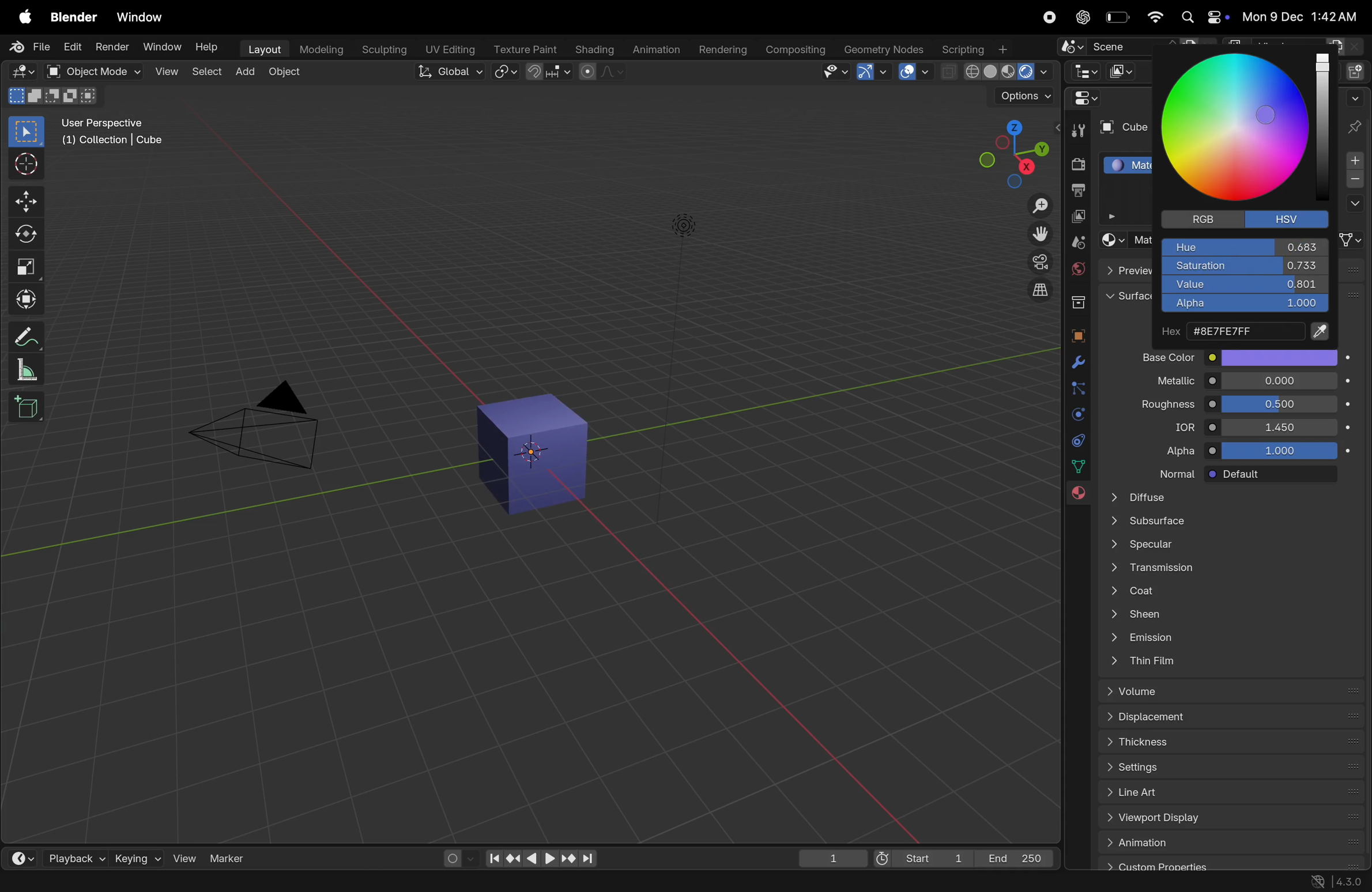 This screenshot has width=1372, height=892. I want to click on use perspective, so click(114, 133).